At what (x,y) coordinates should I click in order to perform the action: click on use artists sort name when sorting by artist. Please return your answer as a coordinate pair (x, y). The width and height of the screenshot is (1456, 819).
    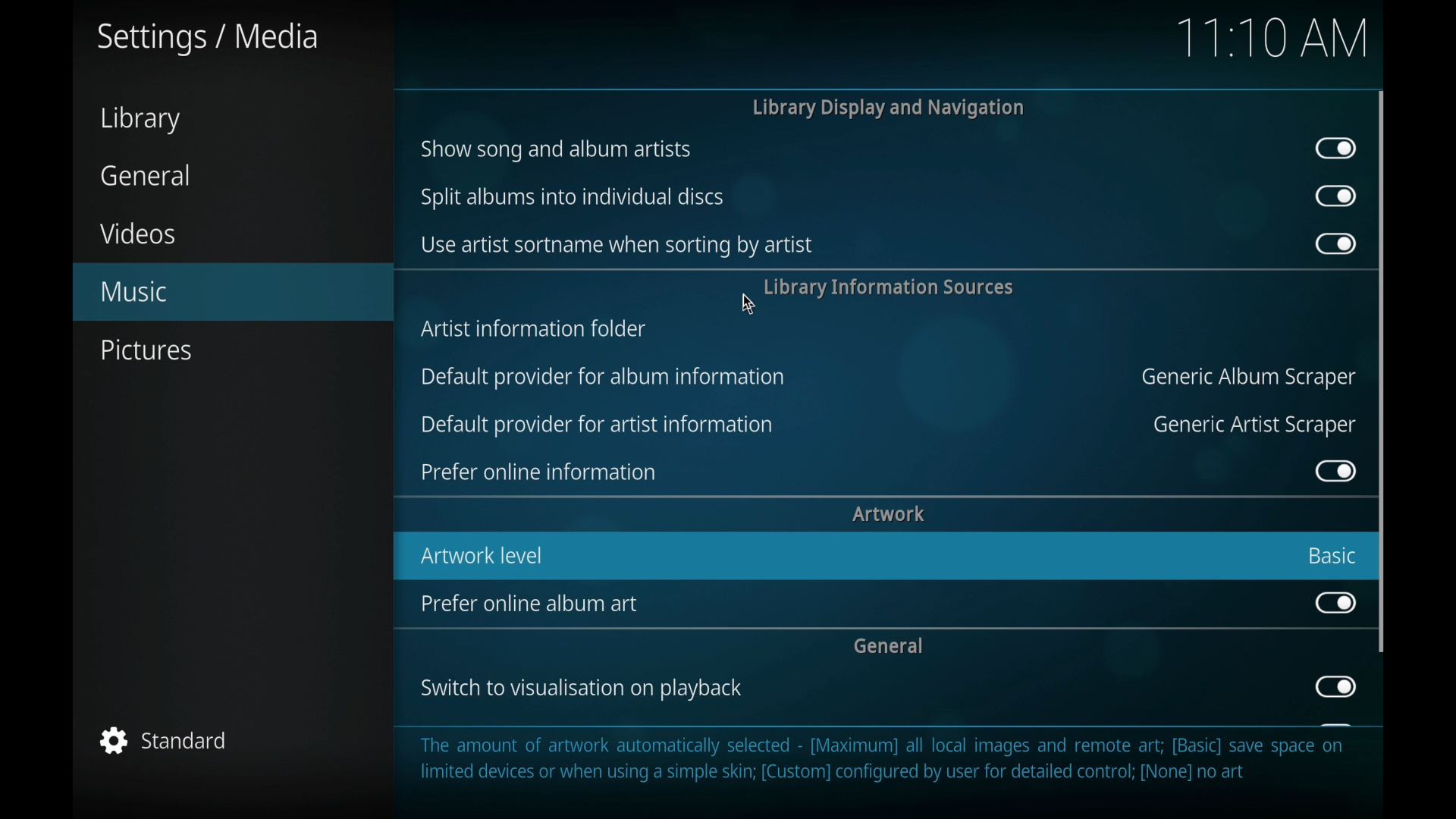
    Looking at the image, I should click on (618, 245).